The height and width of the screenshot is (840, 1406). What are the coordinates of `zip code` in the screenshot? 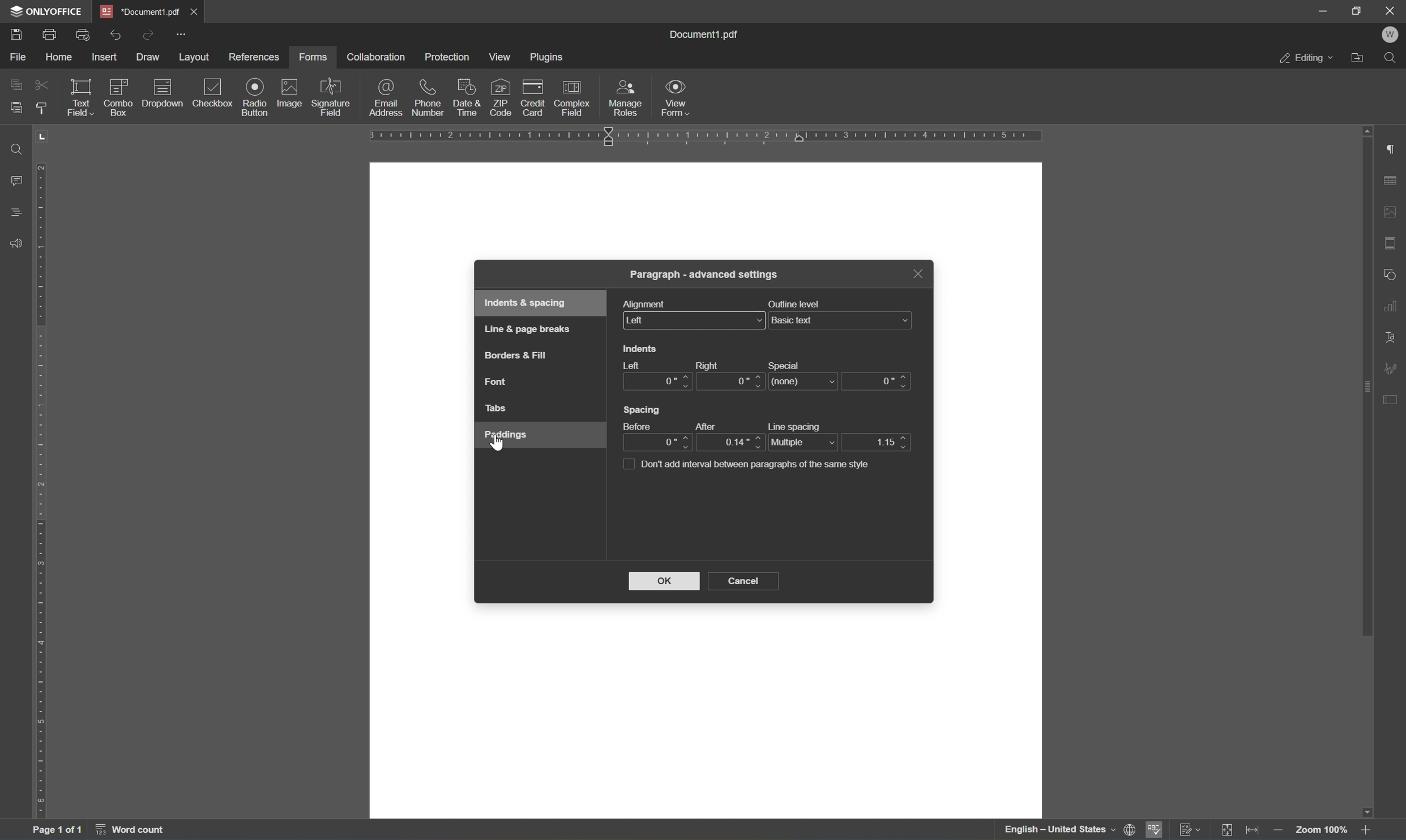 It's located at (500, 97).